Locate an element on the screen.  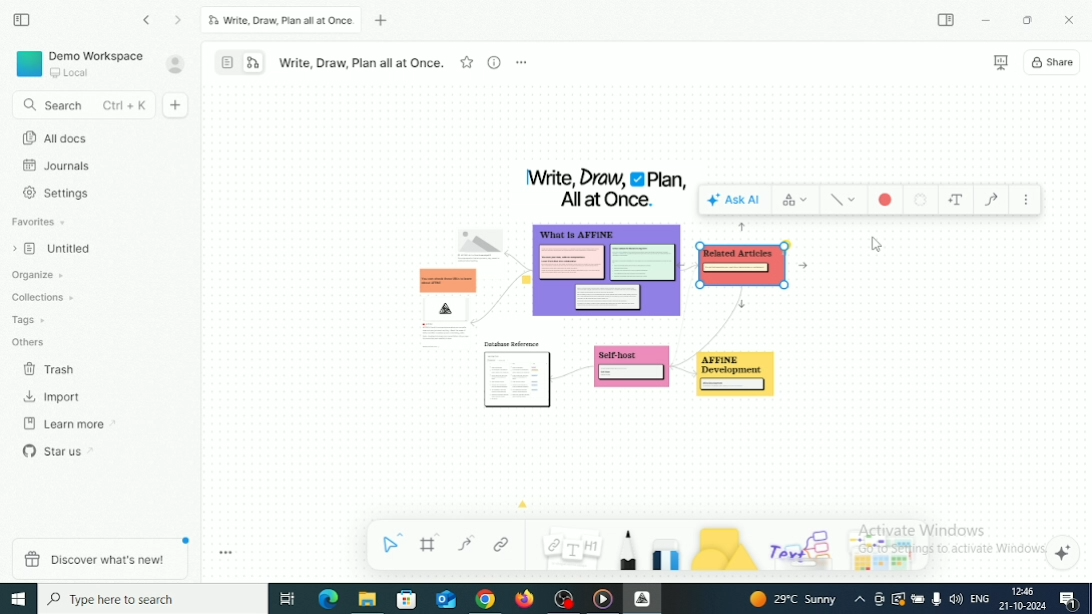
Organize is located at coordinates (40, 275).